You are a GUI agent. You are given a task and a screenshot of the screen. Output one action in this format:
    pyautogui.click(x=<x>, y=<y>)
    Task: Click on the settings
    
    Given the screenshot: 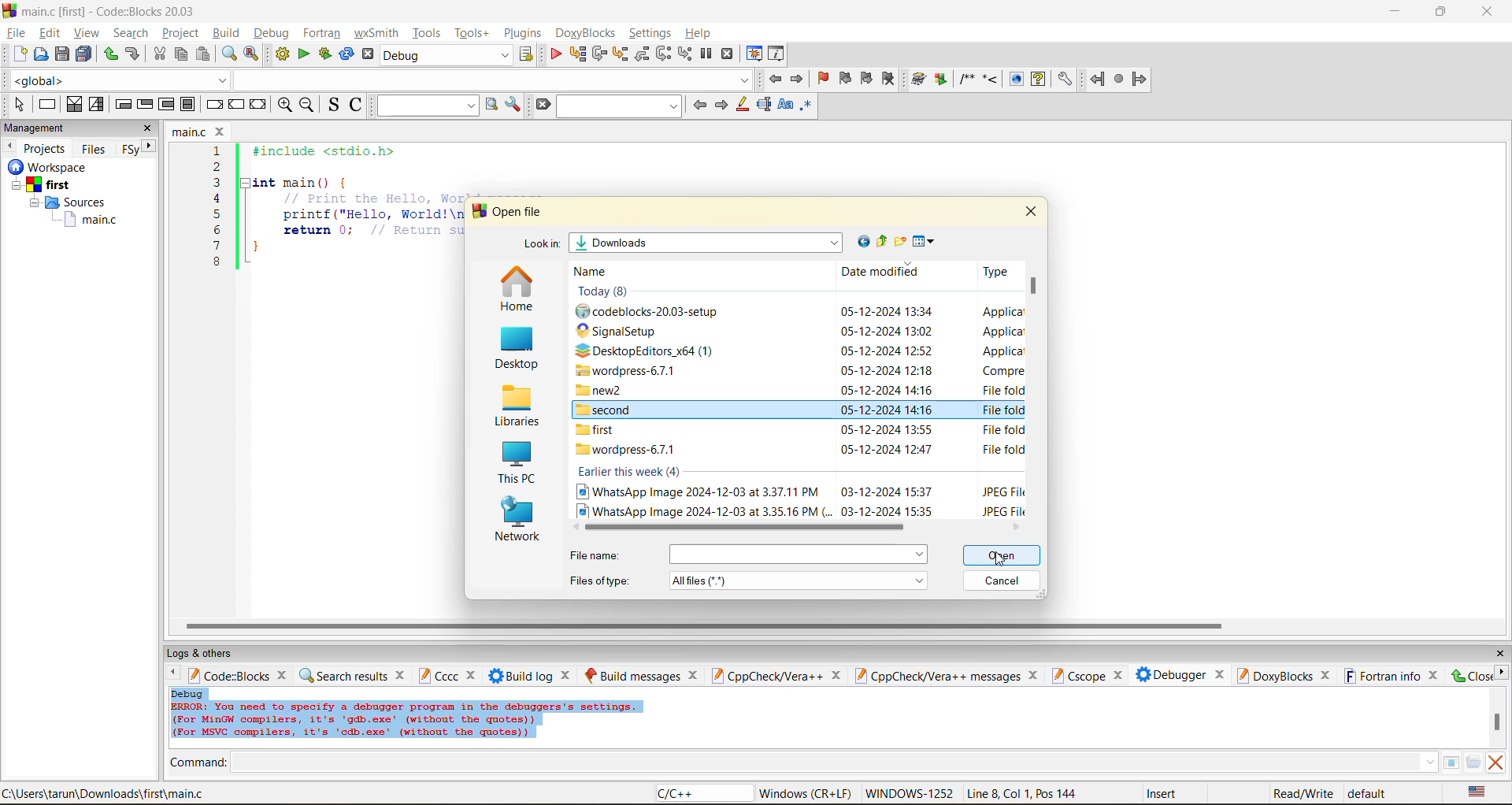 What is the action you would take?
    pyautogui.click(x=651, y=33)
    